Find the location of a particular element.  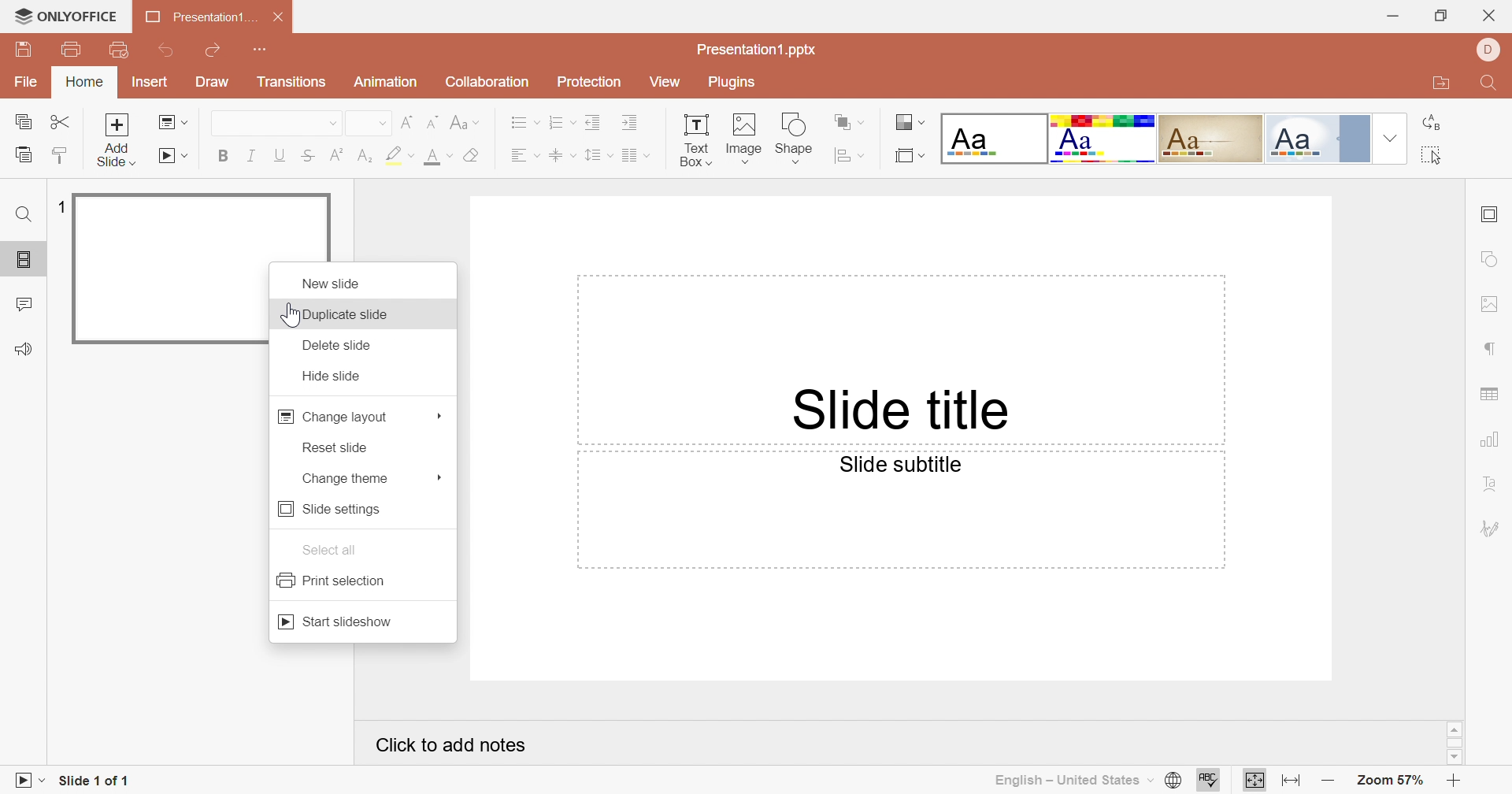

Protection is located at coordinates (591, 83).